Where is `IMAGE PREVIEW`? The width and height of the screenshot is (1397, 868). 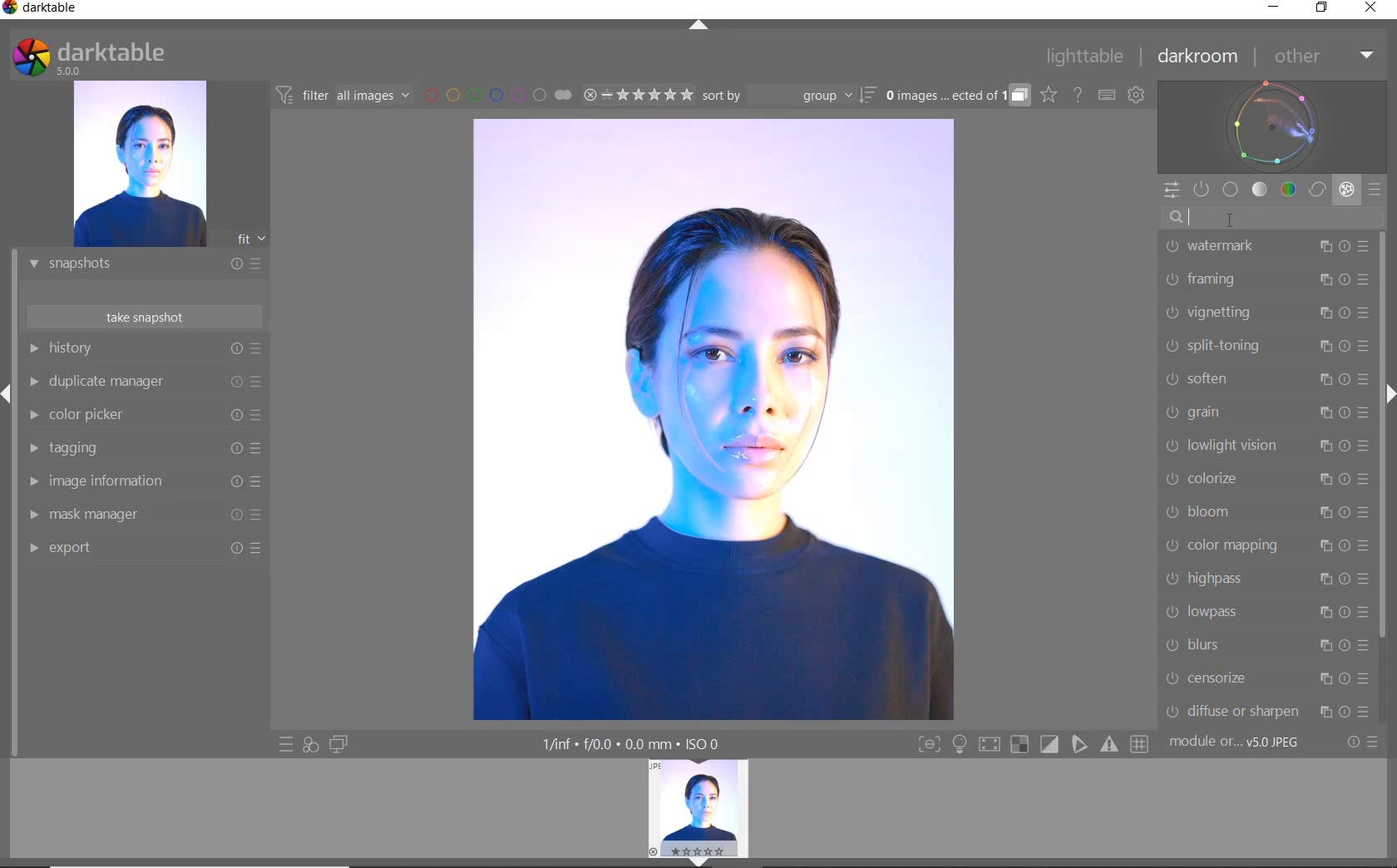 IMAGE PREVIEW is located at coordinates (698, 806).